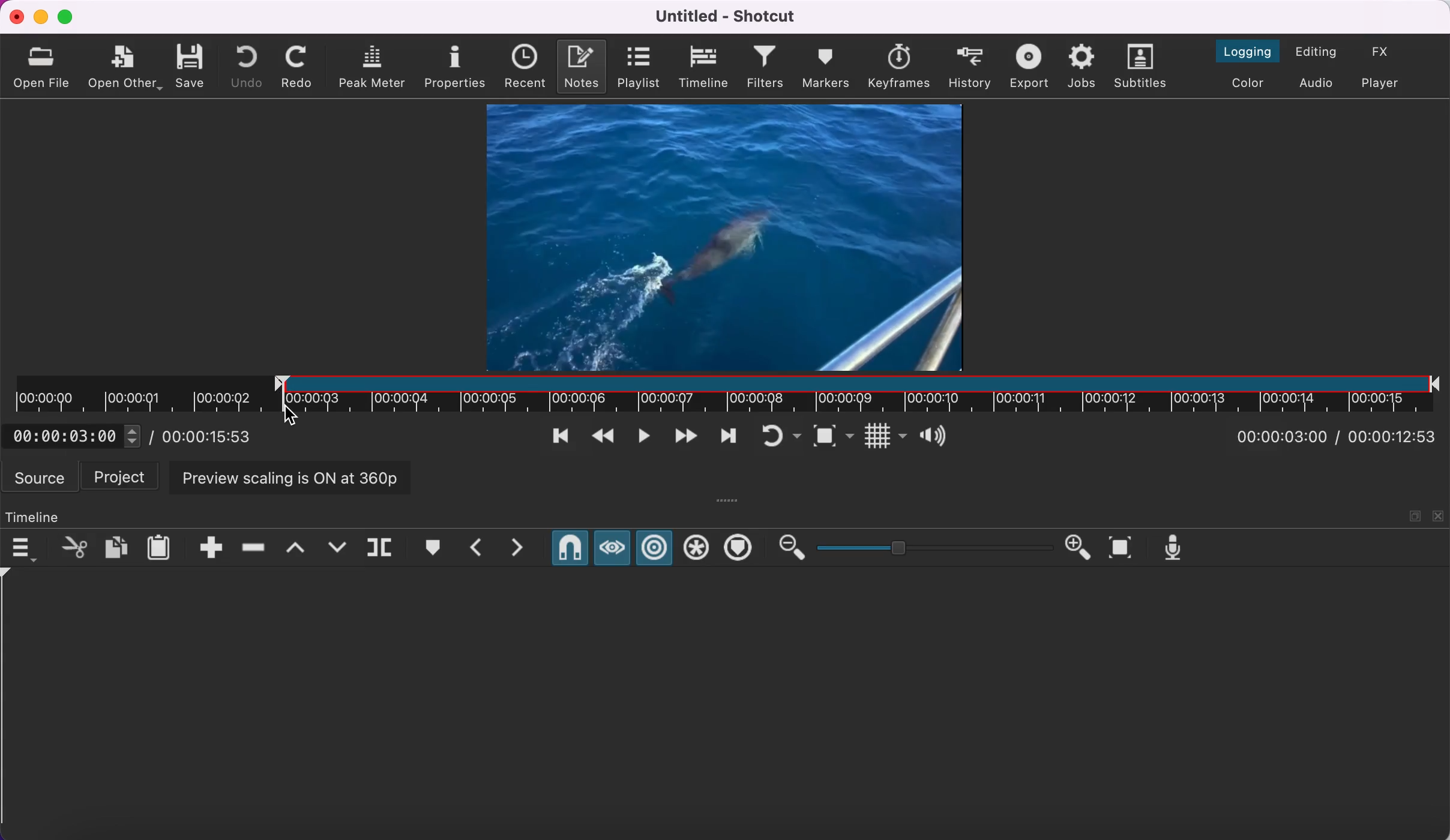 The width and height of the screenshot is (1450, 840). What do you see at coordinates (1397, 438) in the screenshot?
I see `total duration` at bounding box center [1397, 438].